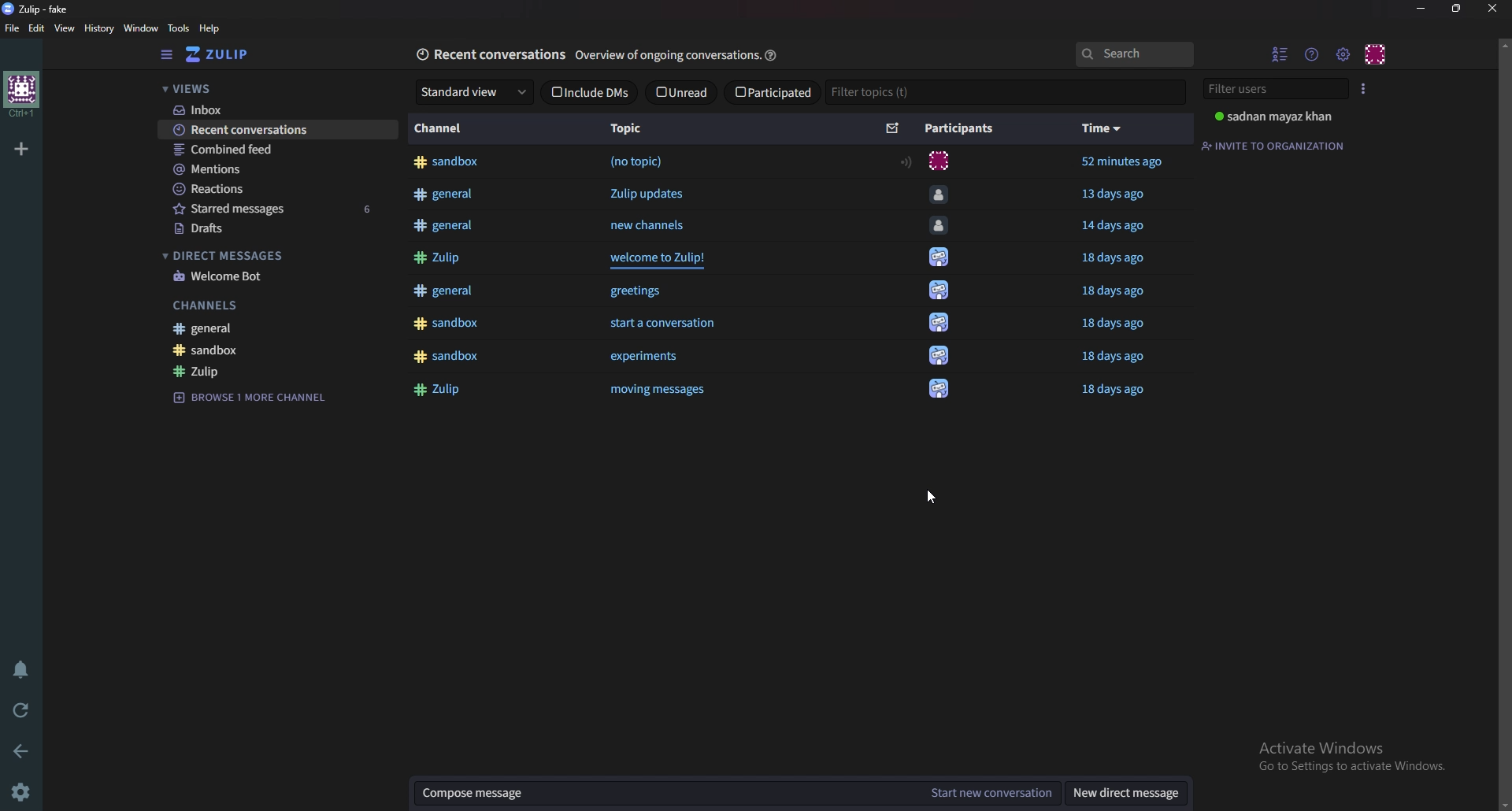 This screenshot has height=811, width=1512. Describe the element at coordinates (1114, 328) in the screenshot. I see `18 days ago` at that location.